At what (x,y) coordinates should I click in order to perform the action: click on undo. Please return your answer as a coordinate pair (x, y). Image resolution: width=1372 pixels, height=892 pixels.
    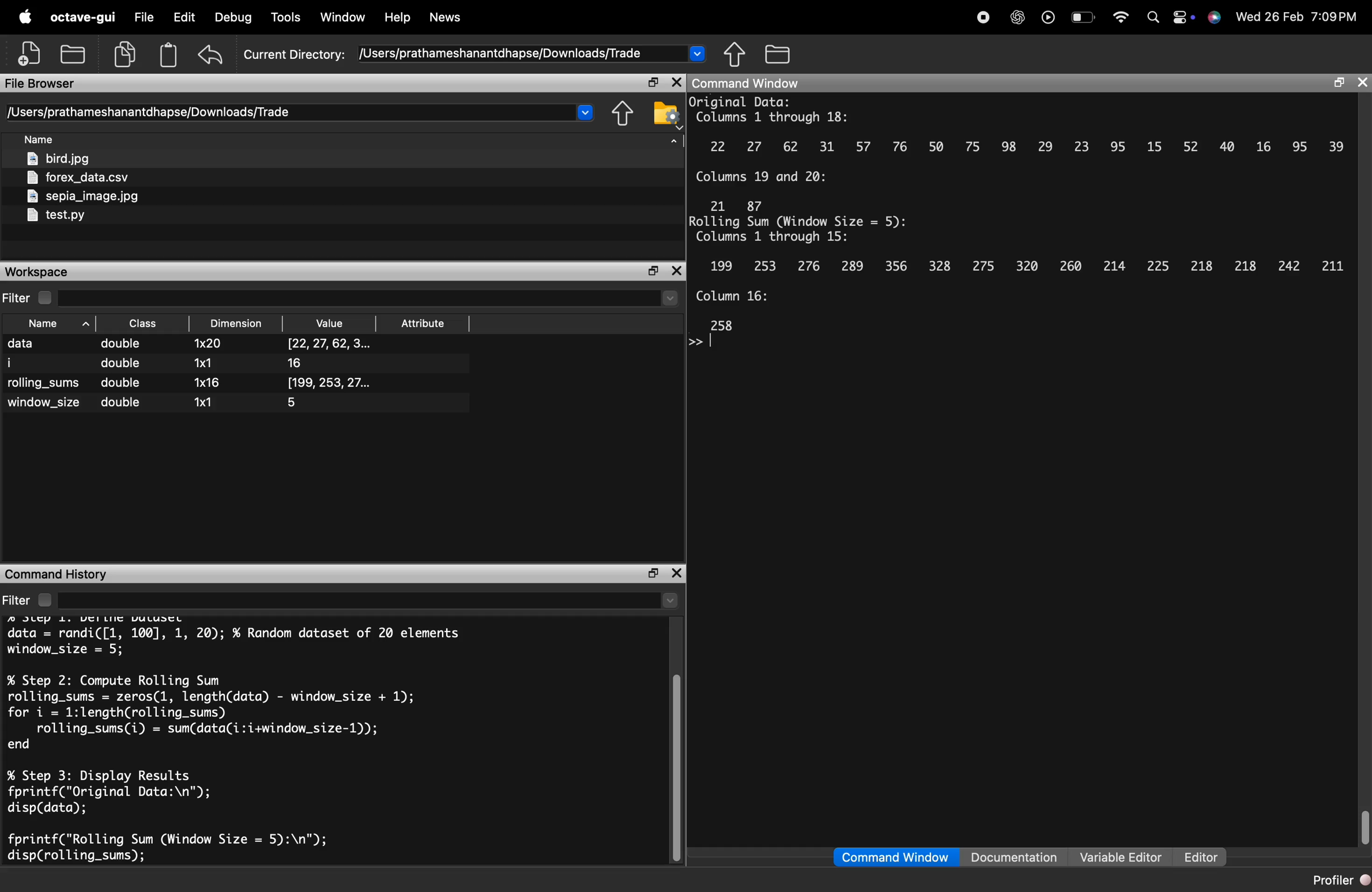
    Looking at the image, I should click on (212, 54).